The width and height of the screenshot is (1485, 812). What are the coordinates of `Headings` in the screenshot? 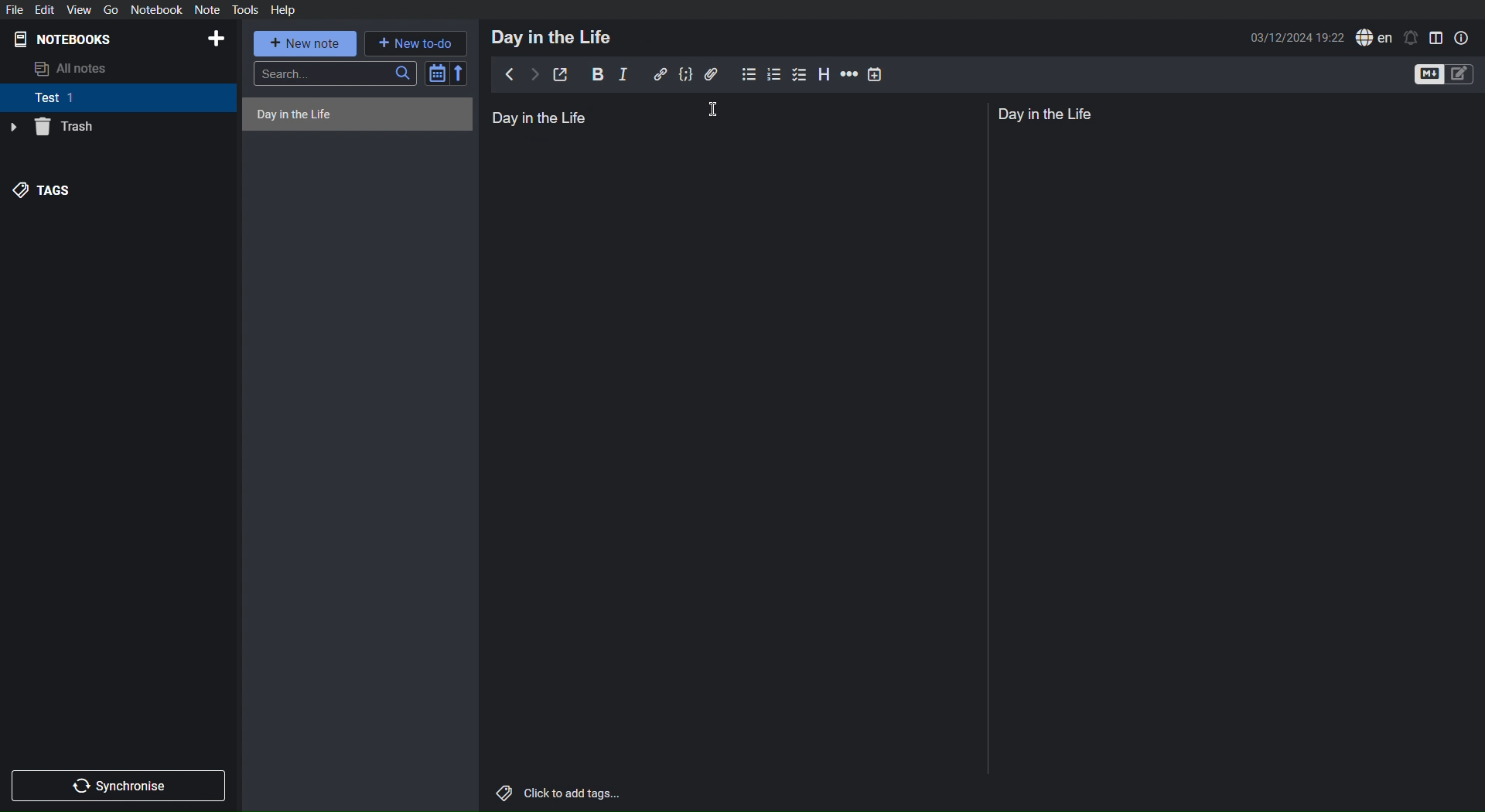 It's located at (825, 74).